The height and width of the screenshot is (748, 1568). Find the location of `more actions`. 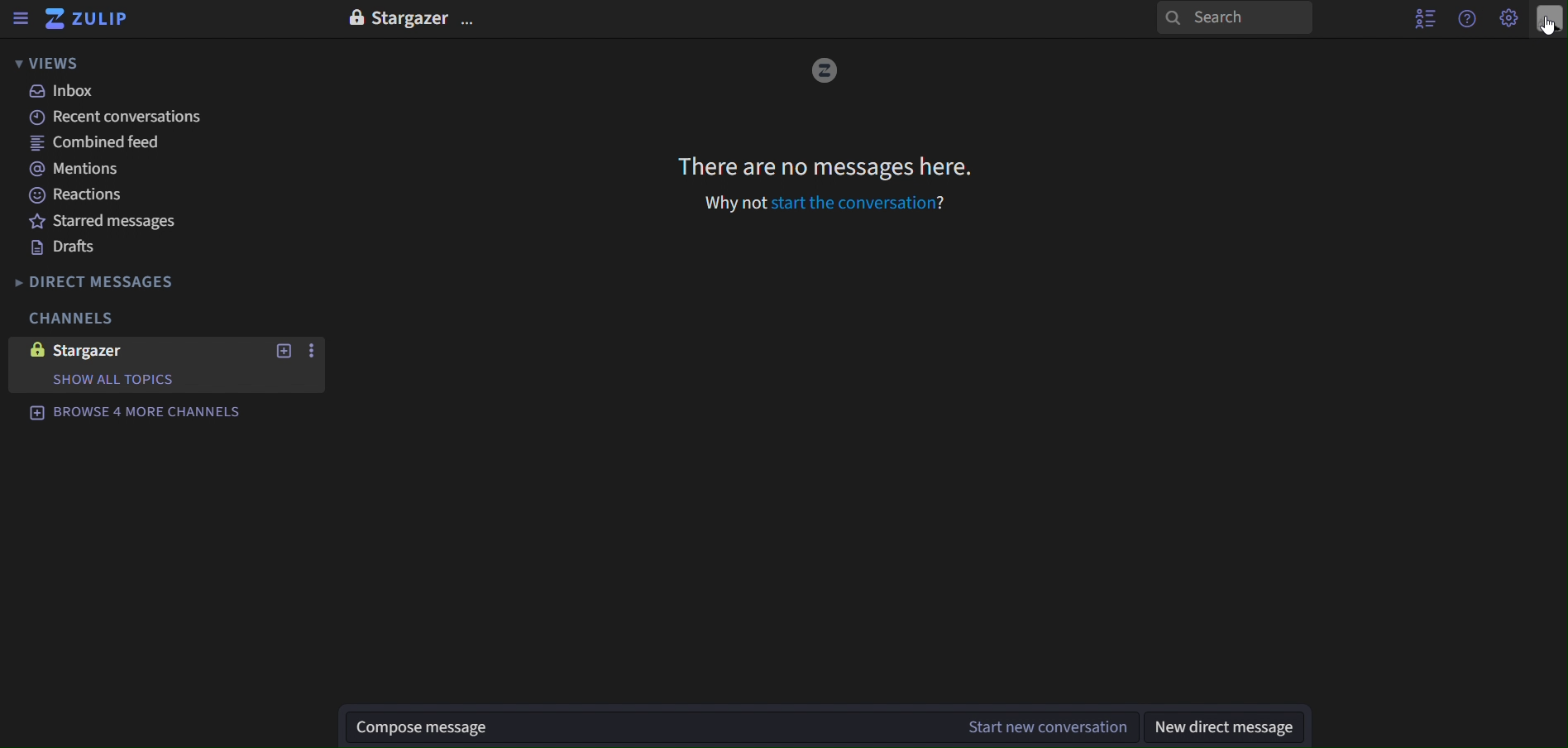

more actions is located at coordinates (313, 352).